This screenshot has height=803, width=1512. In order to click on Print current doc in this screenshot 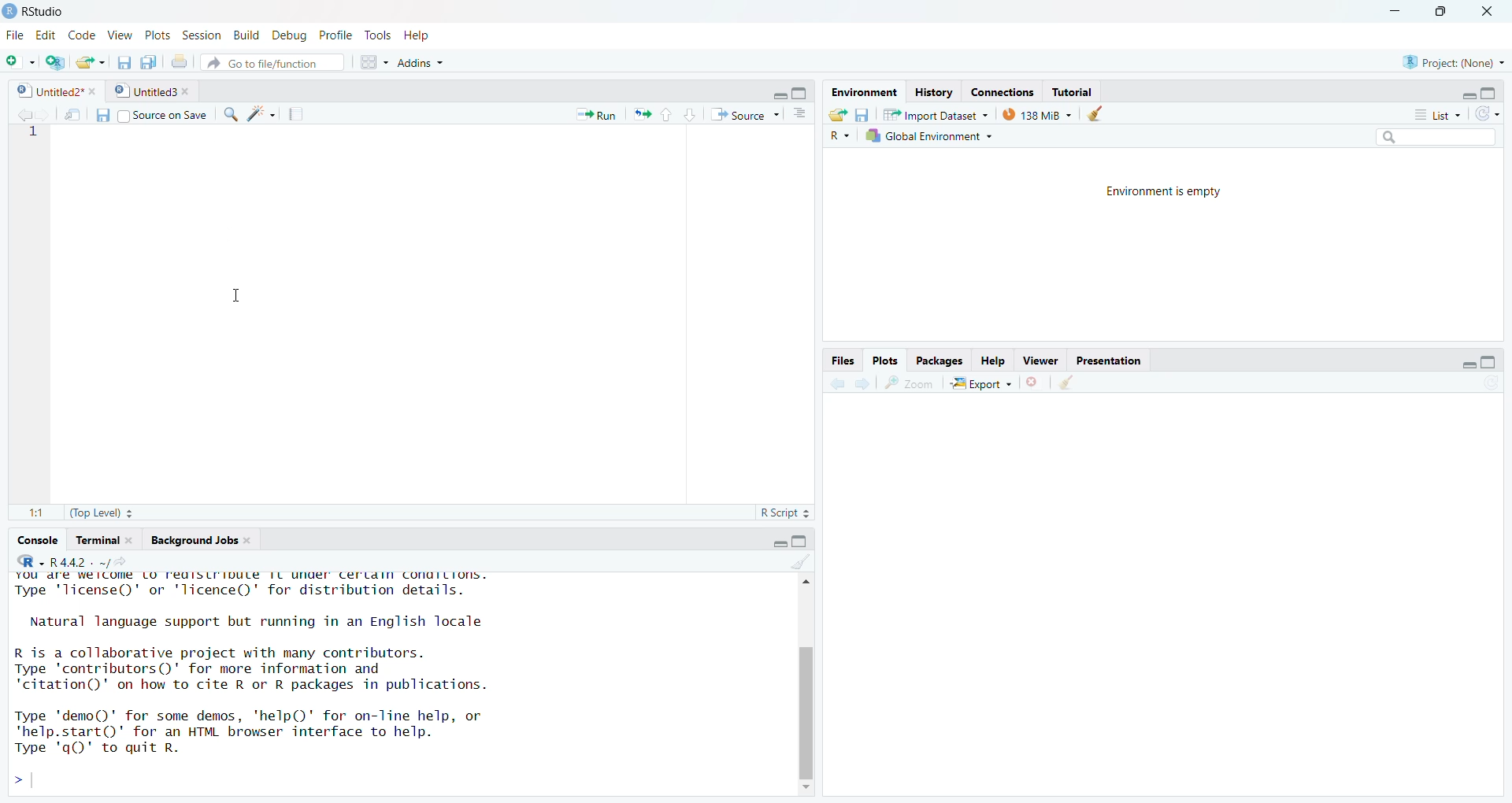, I will do `click(182, 63)`.